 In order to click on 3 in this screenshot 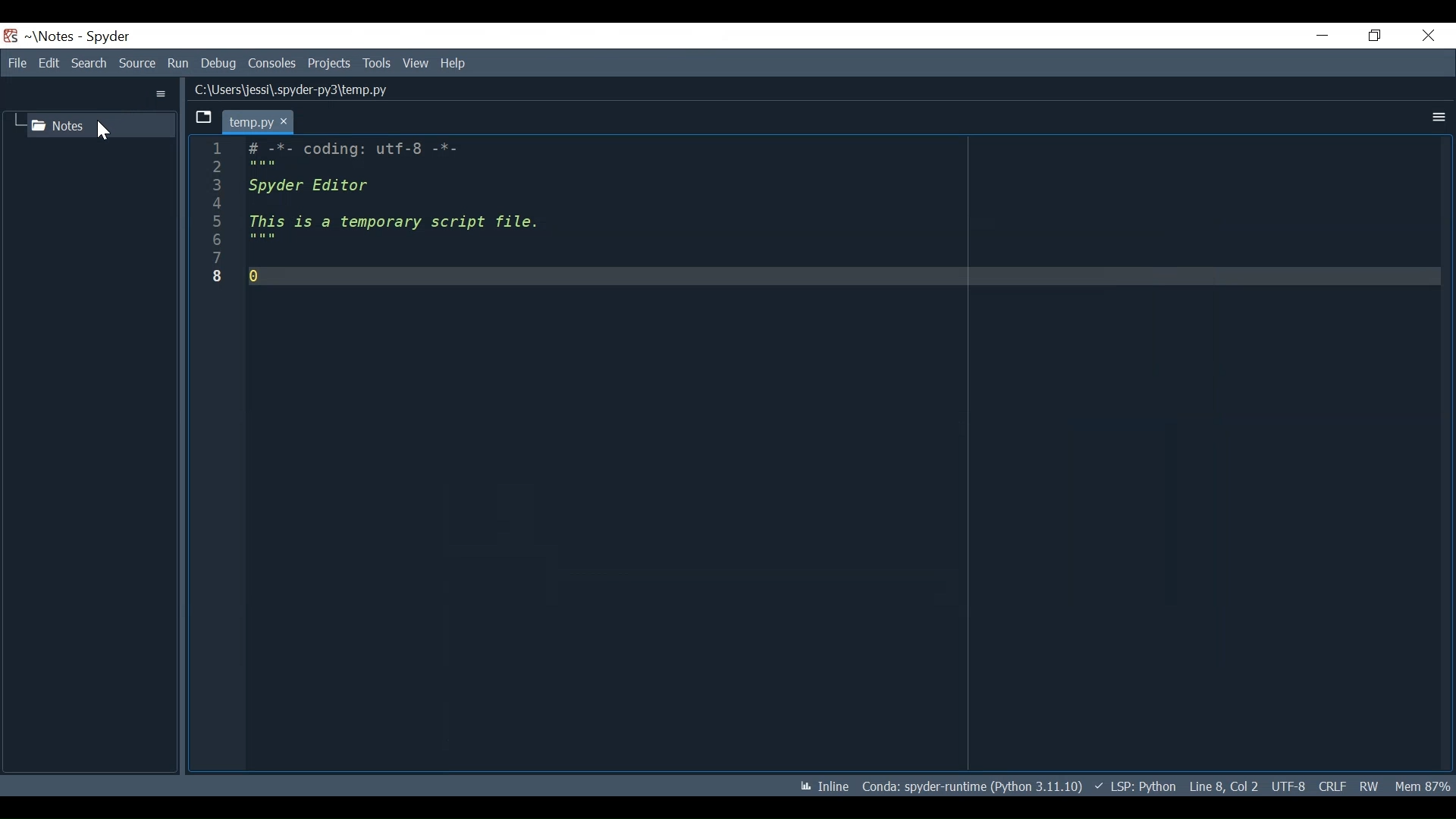, I will do `click(216, 184)`.